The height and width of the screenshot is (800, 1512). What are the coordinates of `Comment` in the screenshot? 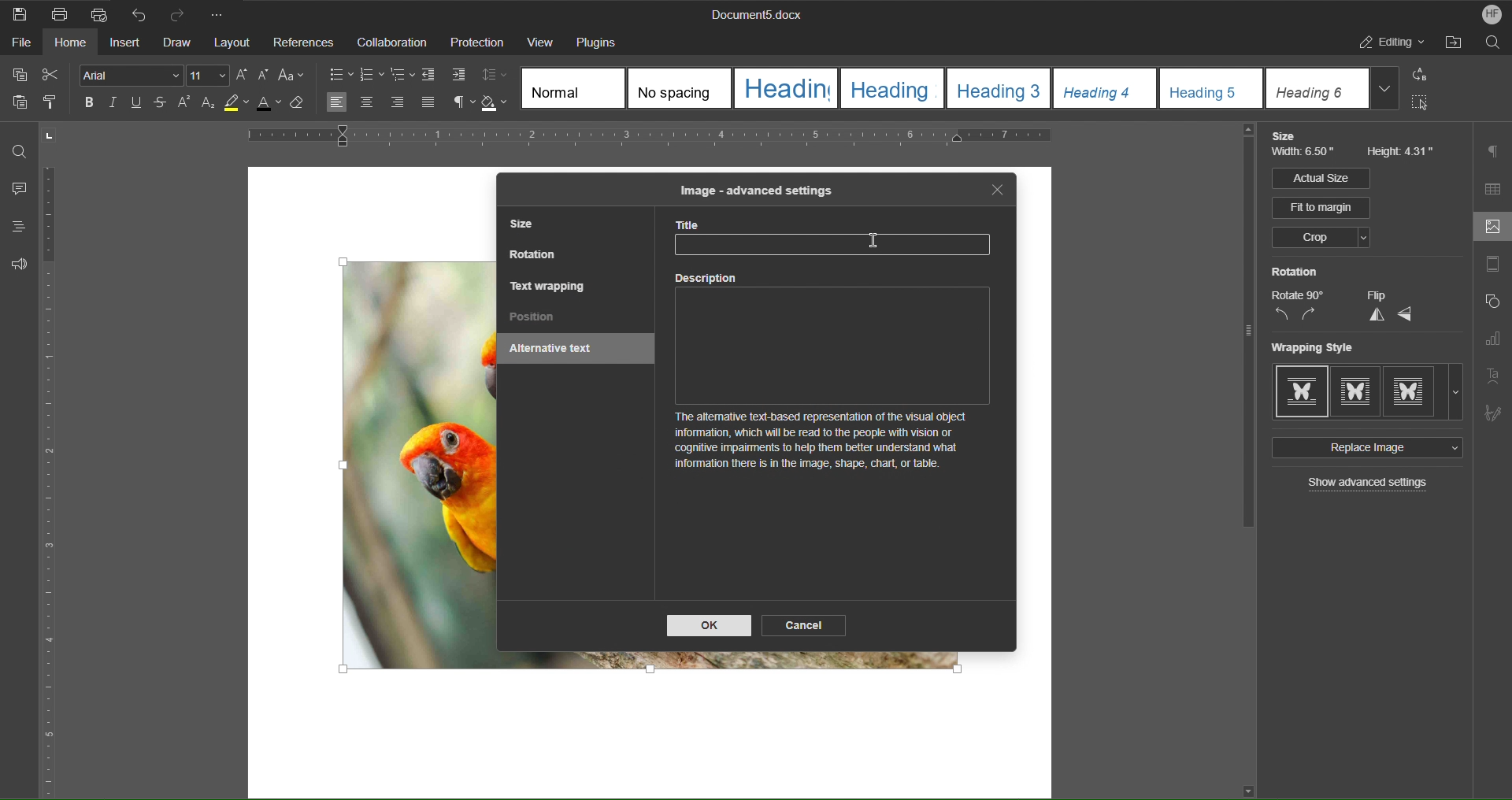 It's located at (16, 190).